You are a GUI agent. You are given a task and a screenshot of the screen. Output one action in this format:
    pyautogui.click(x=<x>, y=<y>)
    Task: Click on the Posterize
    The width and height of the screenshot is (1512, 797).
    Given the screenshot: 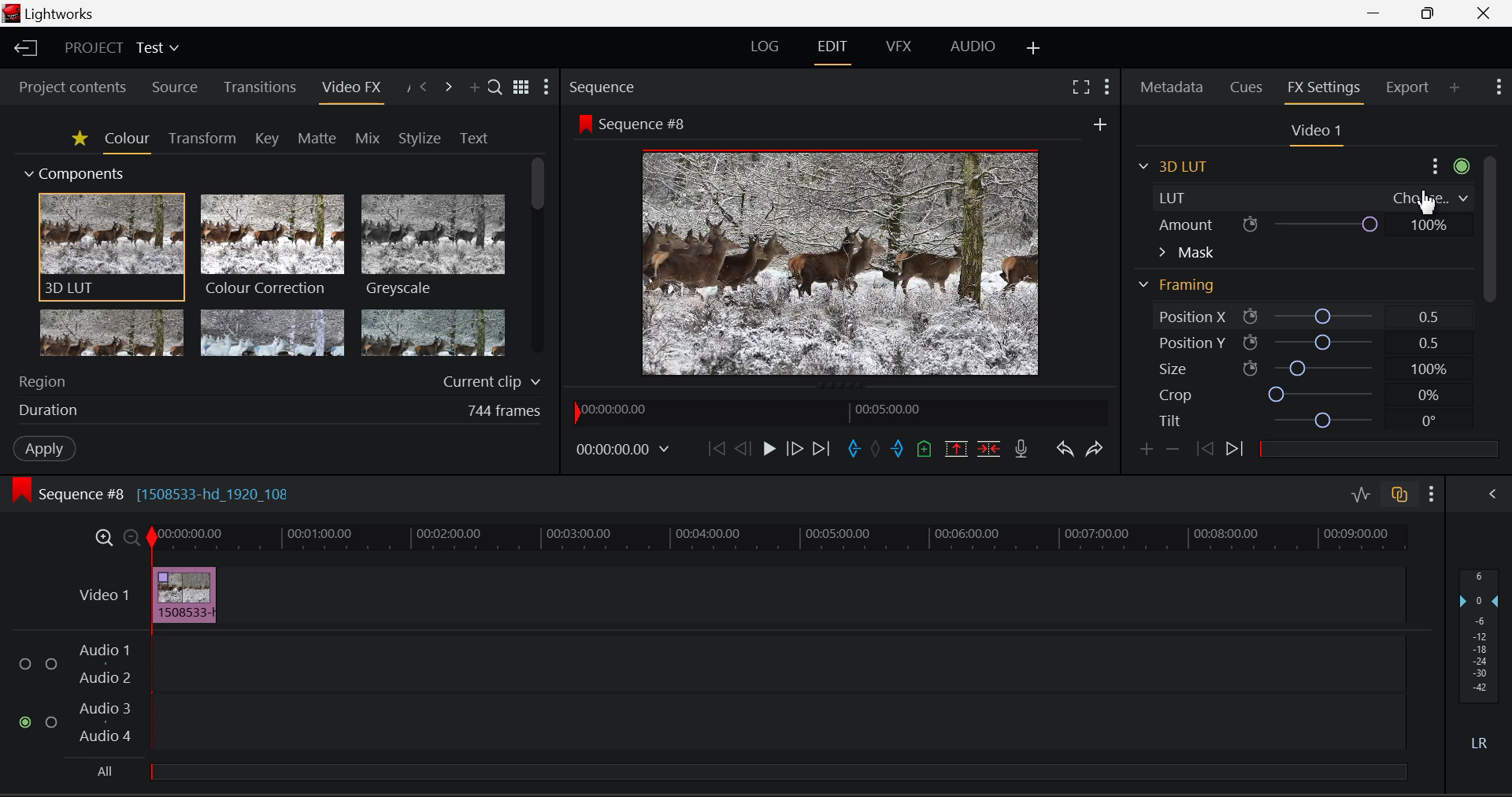 What is the action you would take?
    pyautogui.click(x=434, y=334)
    